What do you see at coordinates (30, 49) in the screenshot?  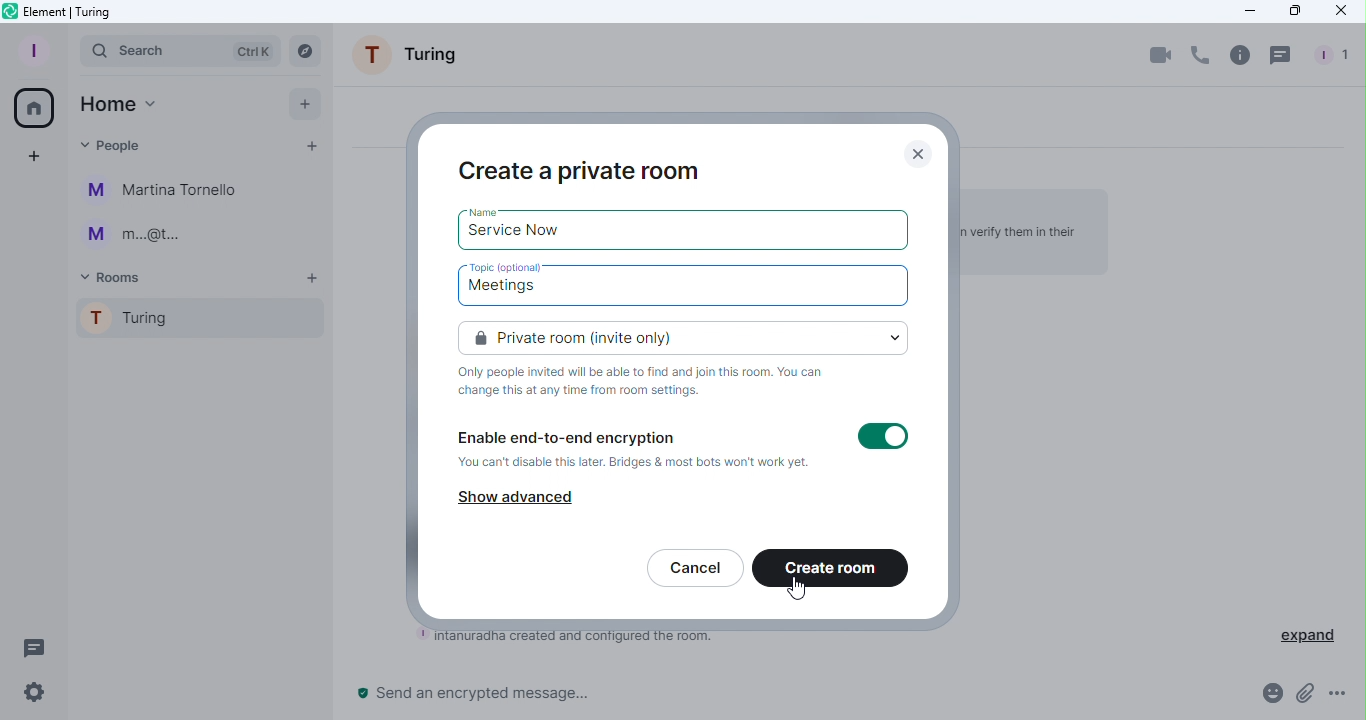 I see `Profile` at bounding box center [30, 49].